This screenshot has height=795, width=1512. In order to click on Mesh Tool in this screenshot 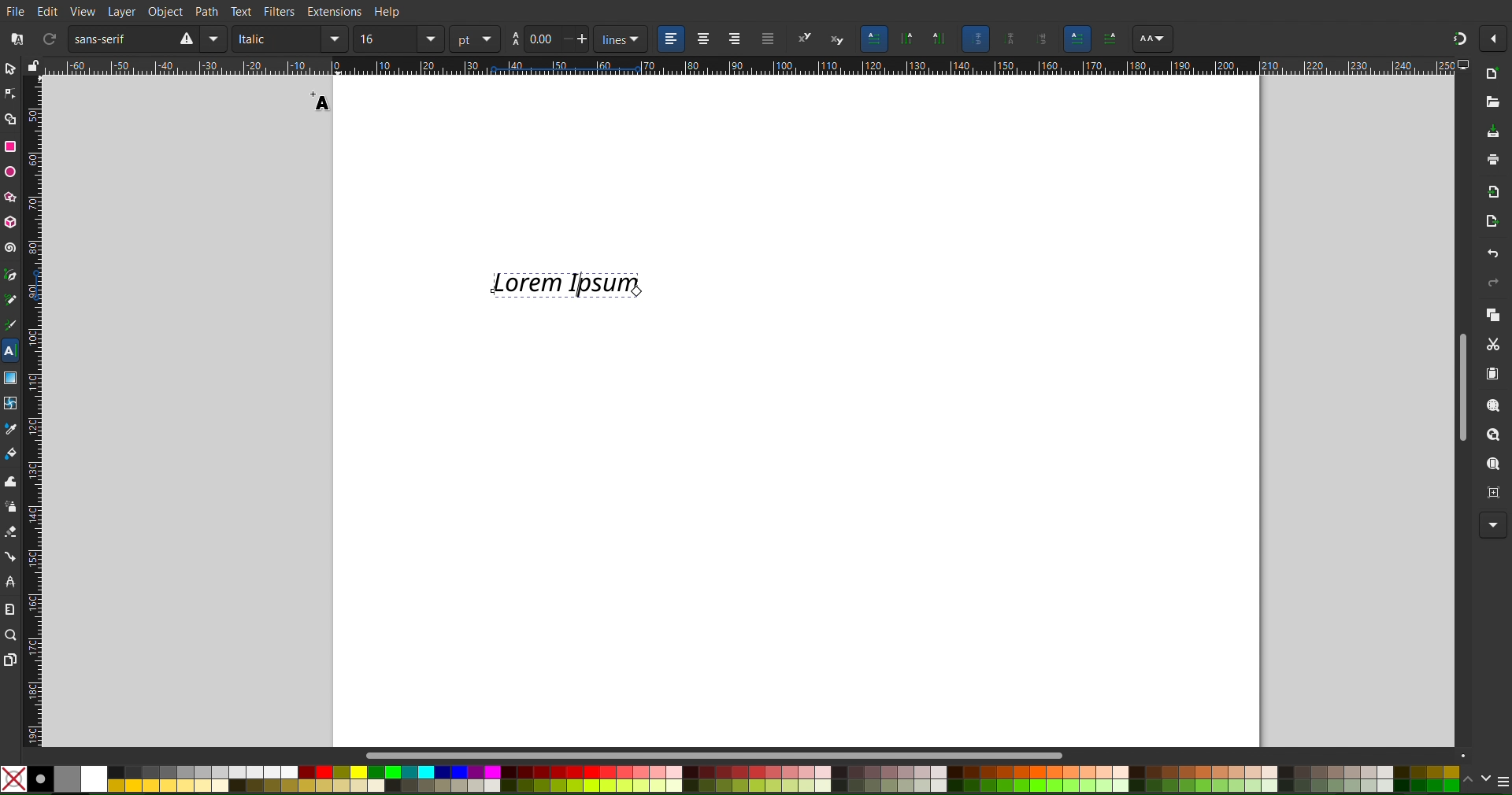, I will do `click(10, 403)`.